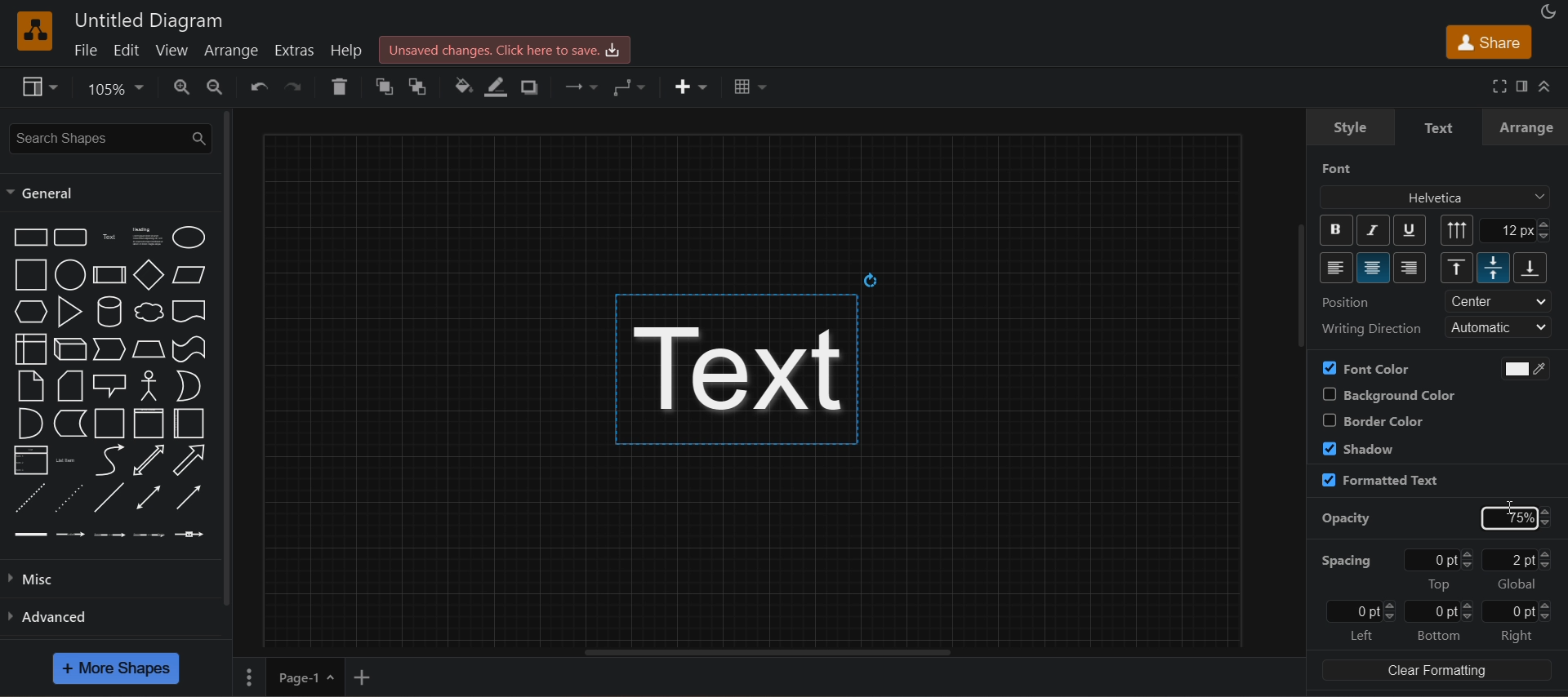 The height and width of the screenshot is (697, 1568). I want to click on arrange, so click(1526, 127).